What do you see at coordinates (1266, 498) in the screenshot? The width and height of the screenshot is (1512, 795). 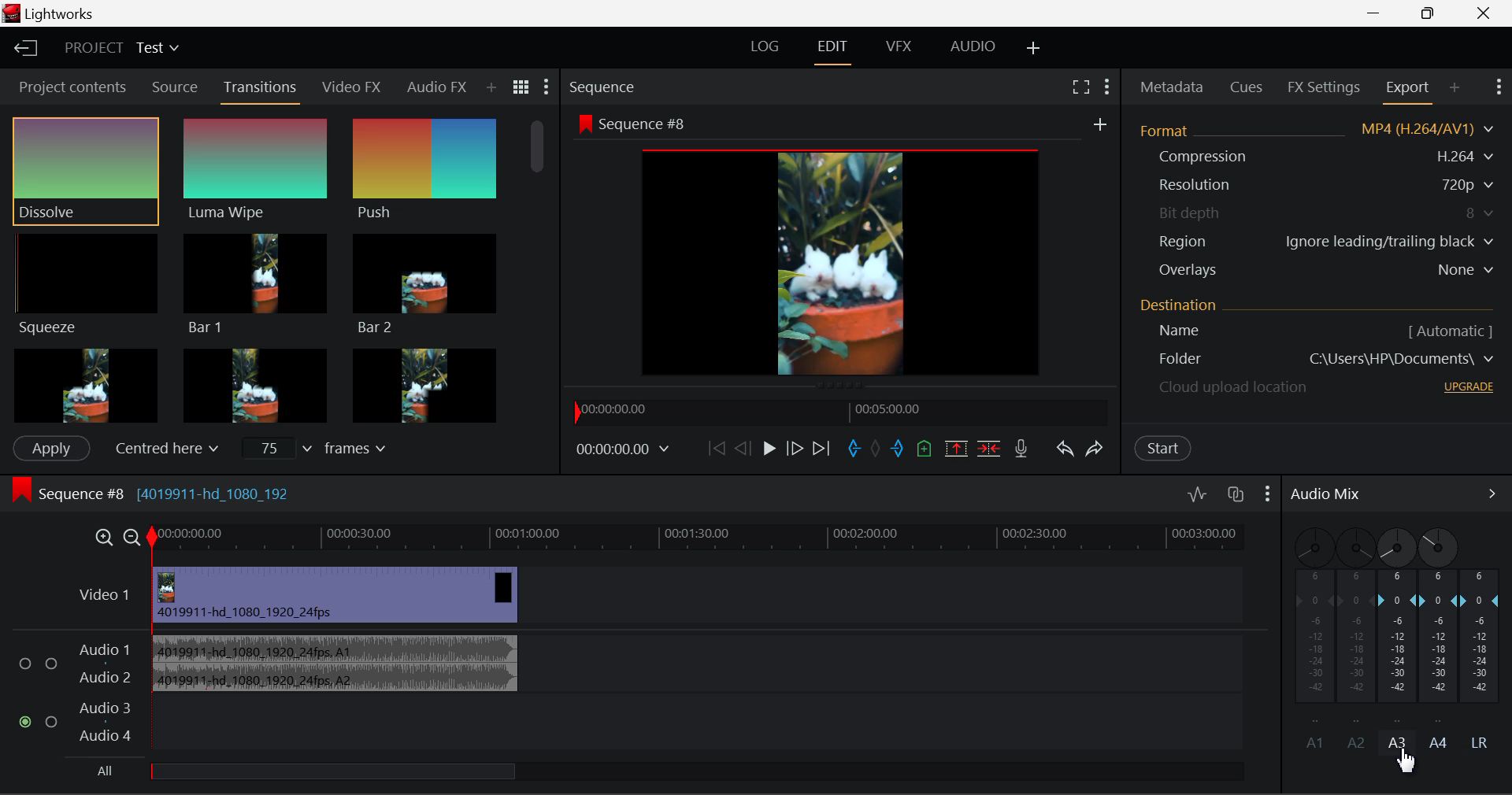 I see `Show Settings` at bounding box center [1266, 498].